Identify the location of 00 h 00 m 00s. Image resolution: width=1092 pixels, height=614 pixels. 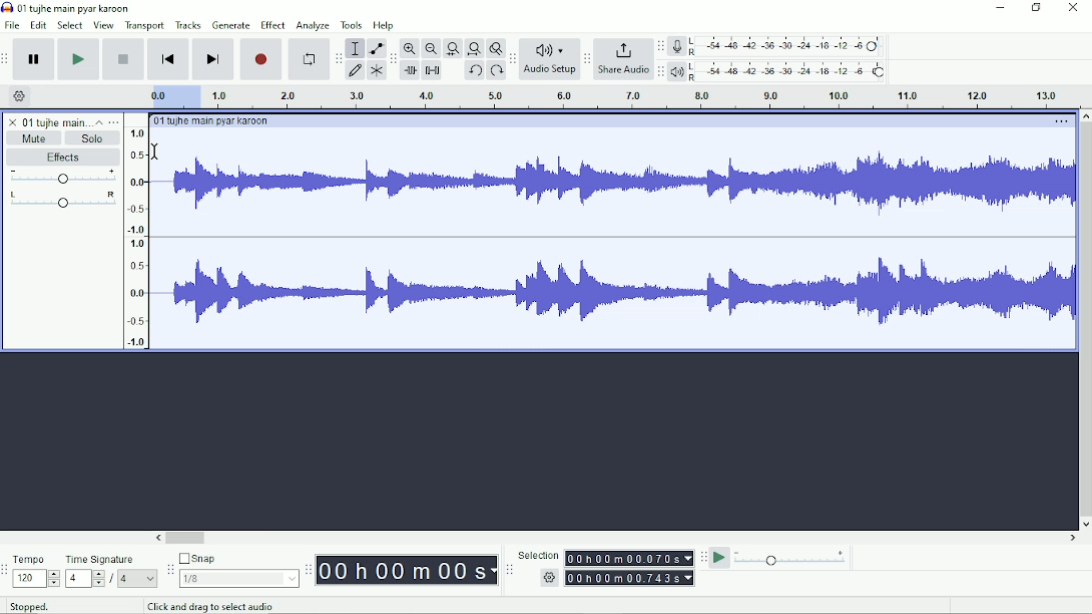
(407, 570).